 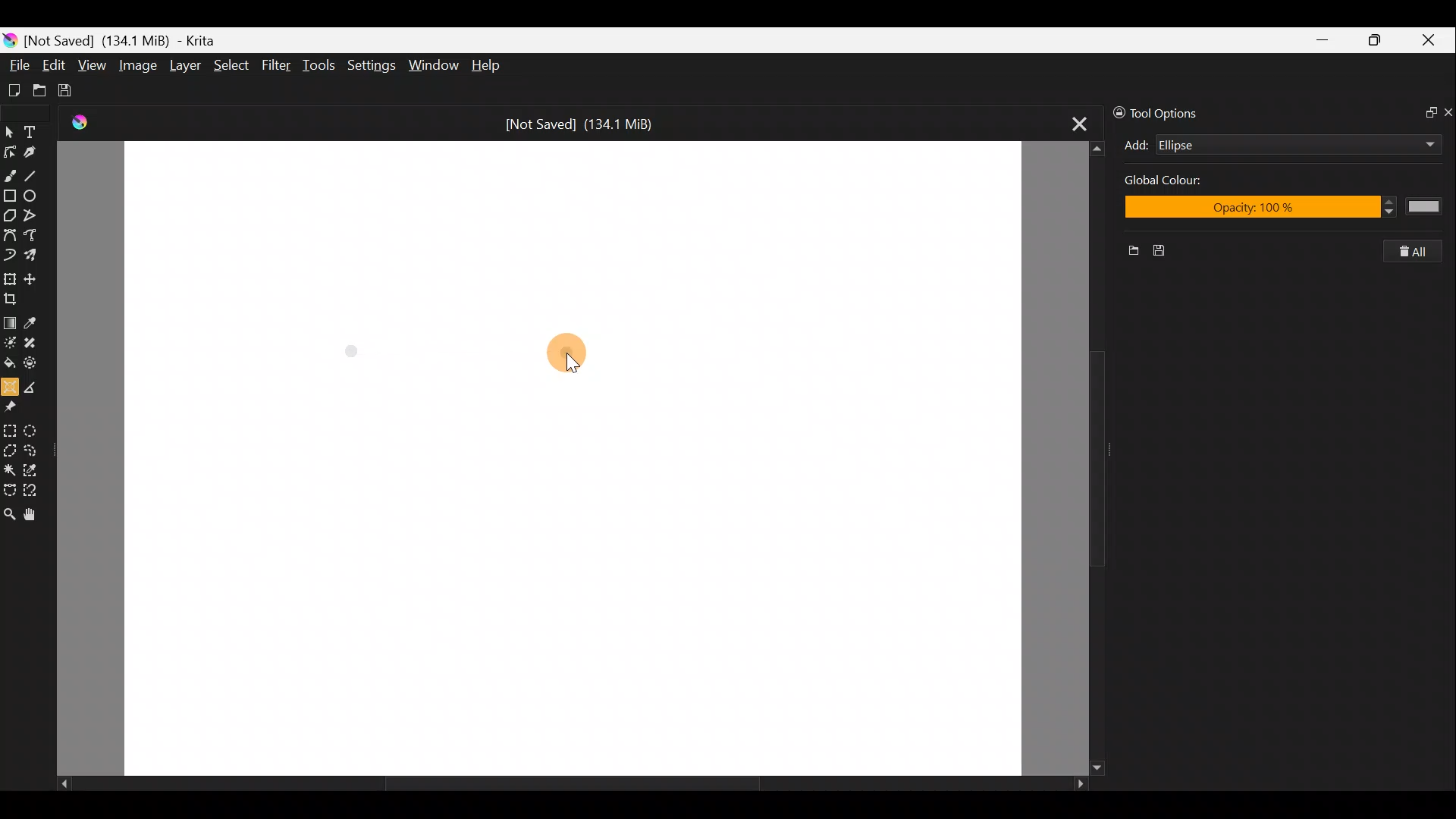 What do you see at coordinates (1421, 252) in the screenshot?
I see `Delete all` at bounding box center [1421, 252].